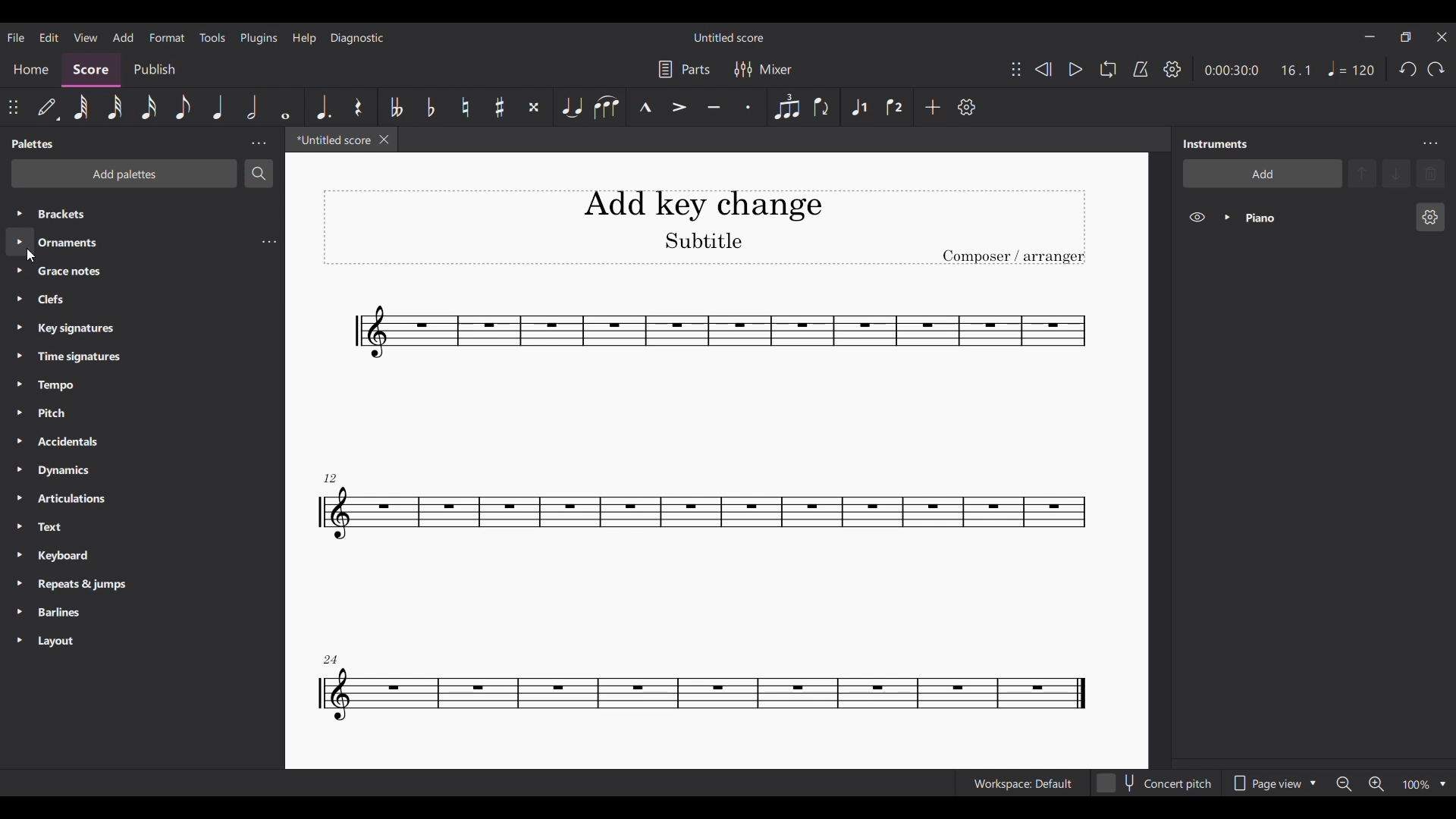 This screenshot has width=1456, height=819. What do you see at coordinates (1172, 70) in the screenshot?
I see `Playback settings` at bounding box center [1172, 70].